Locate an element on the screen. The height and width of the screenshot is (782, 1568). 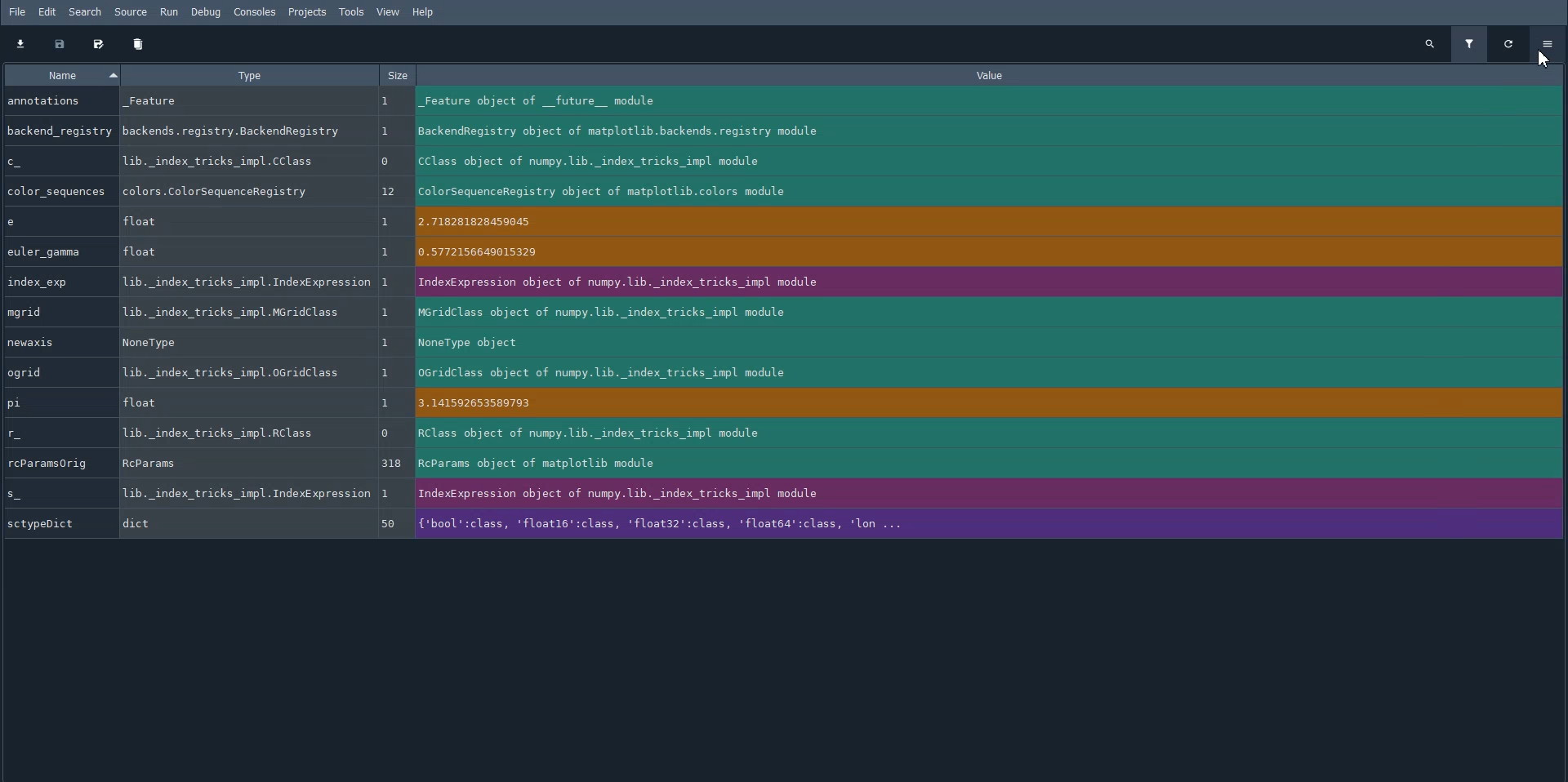
euler_gamma is located at coordinates (54, 251).